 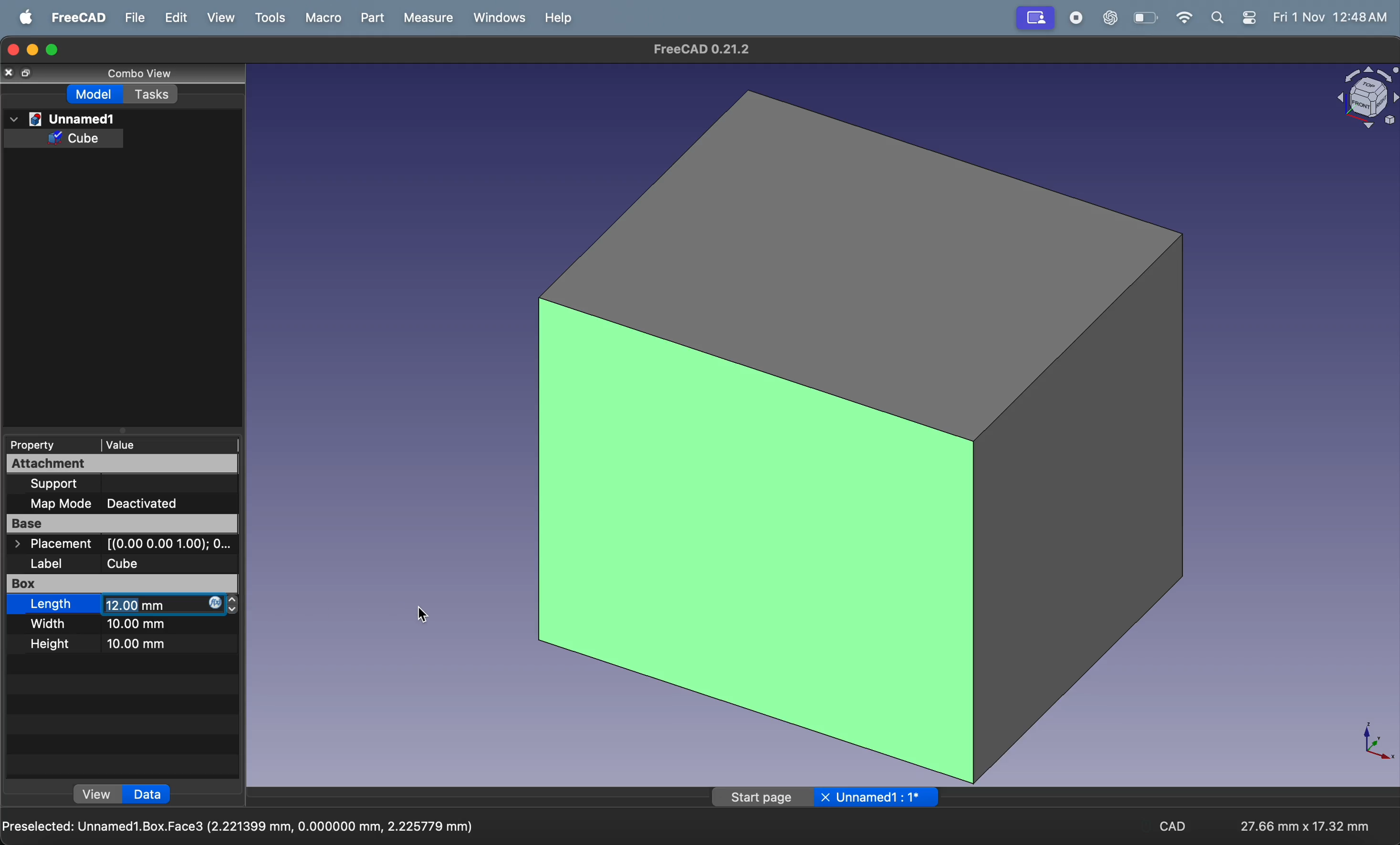 I want to click on view data, so click(x=97, y=795).